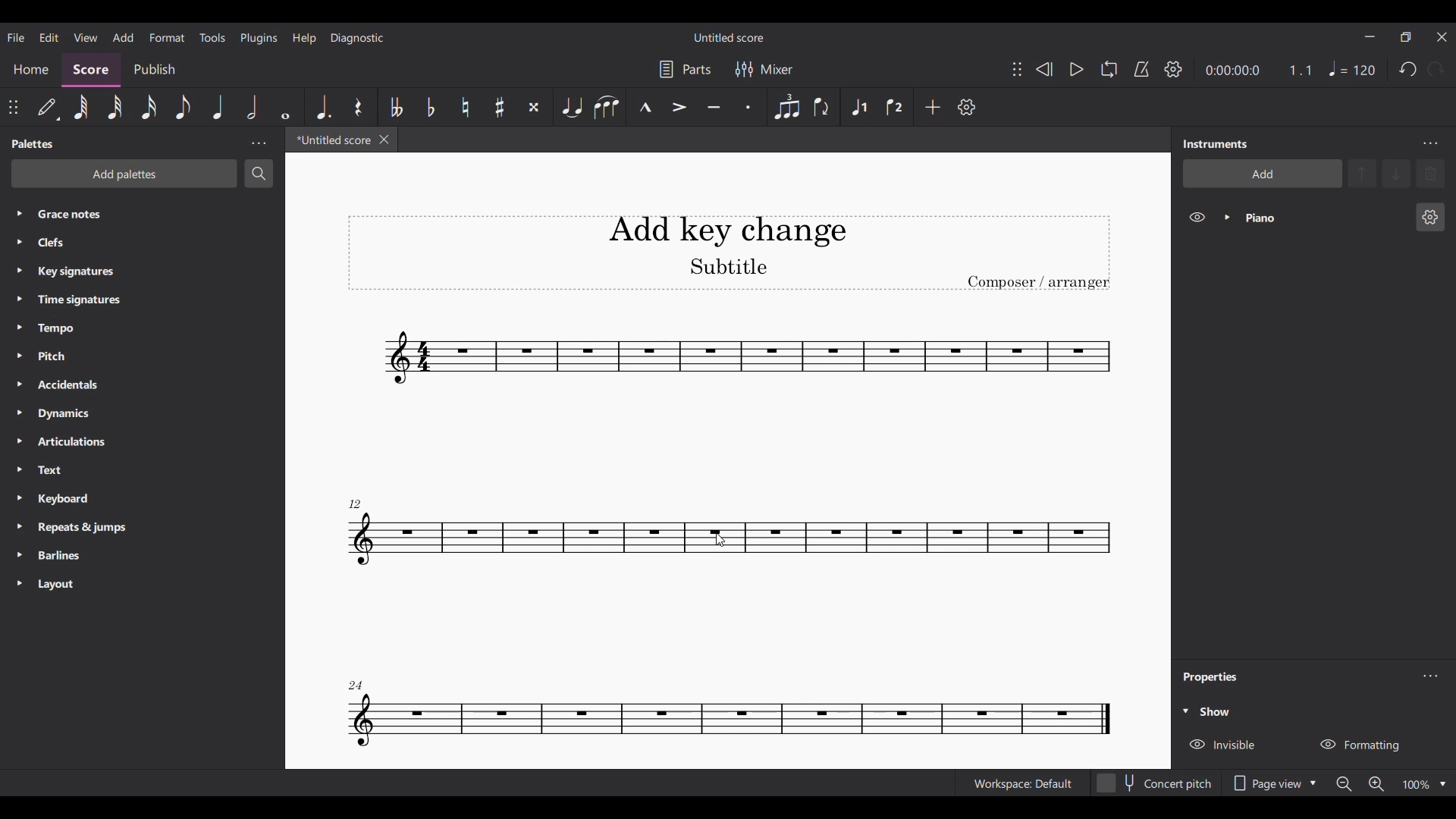 Image resolution: width=1456 pixels, height=819 pixels. I want to click on Click to expand, so click(1185, 711).